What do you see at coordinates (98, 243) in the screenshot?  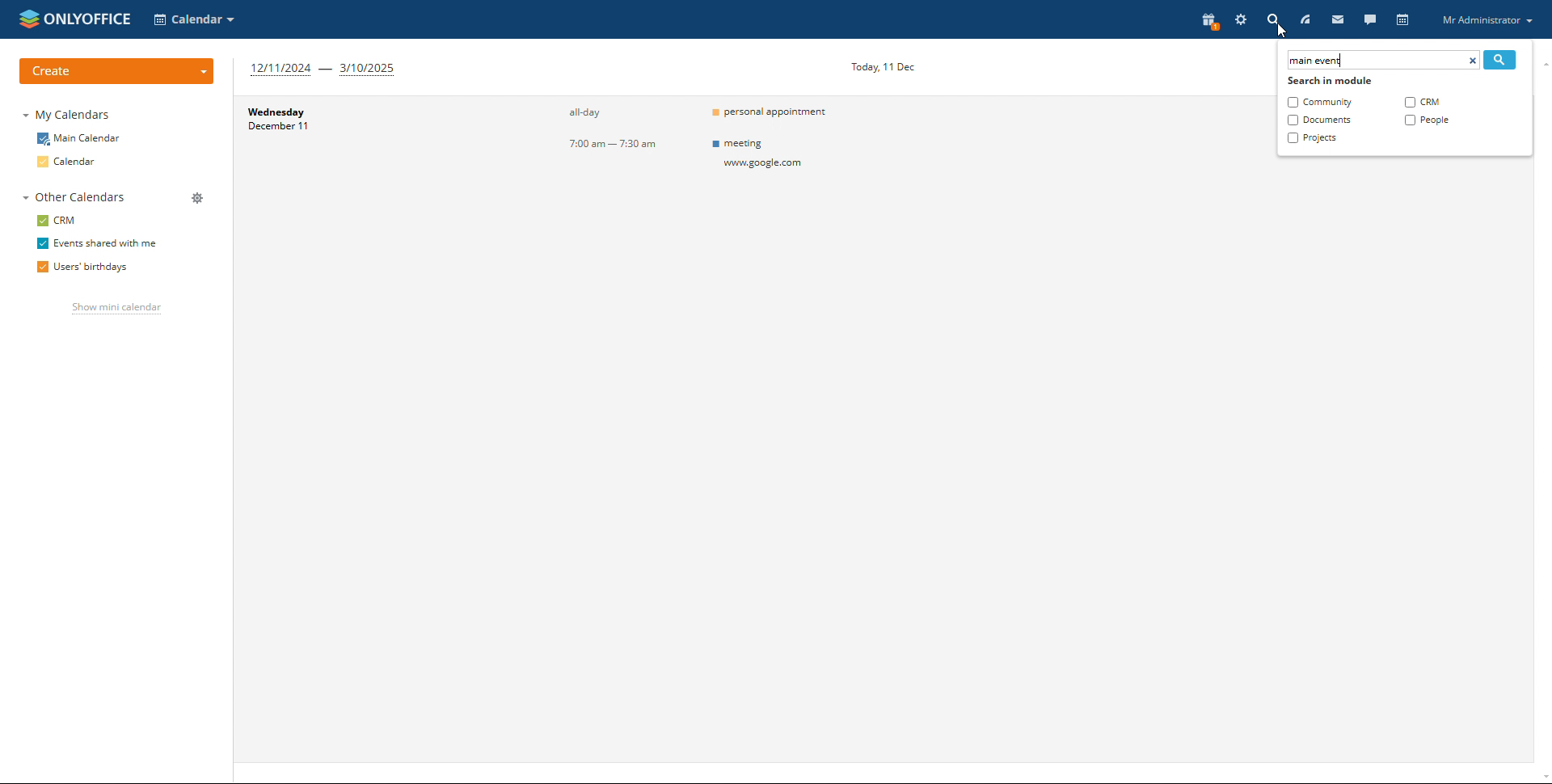 I see `events shared with me` at bounding box center [98, 243].